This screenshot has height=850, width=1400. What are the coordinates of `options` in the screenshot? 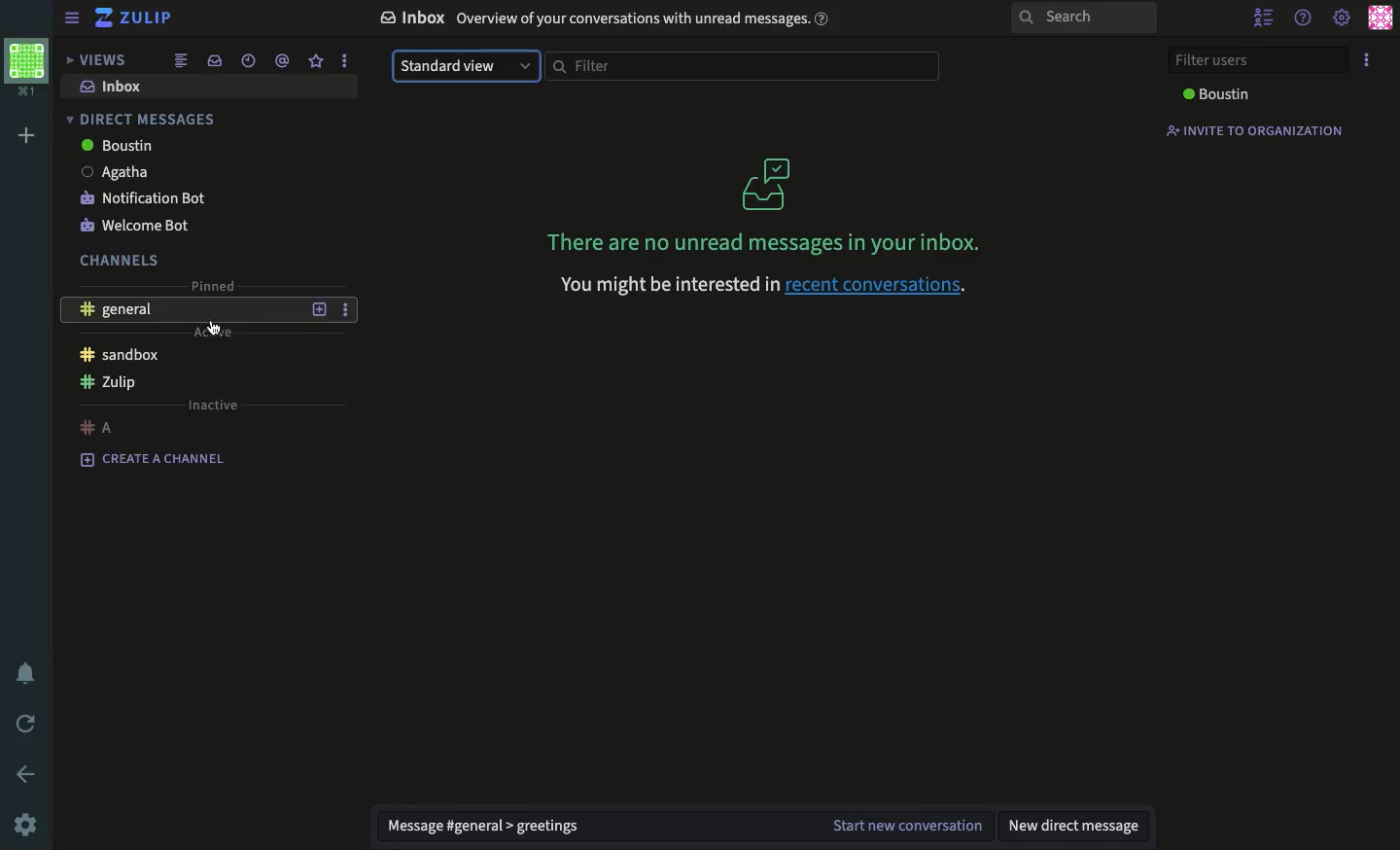 It's located at (1369, 59).